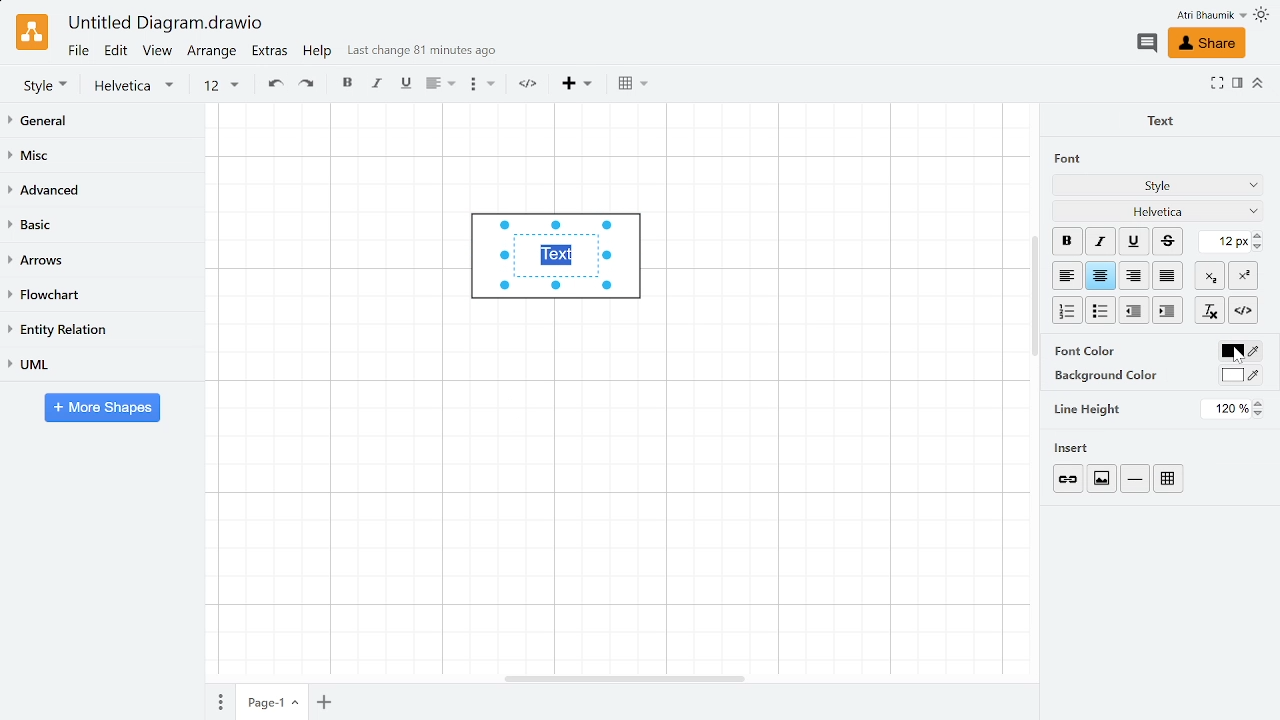  What do you see at coordinates (1233, 356) in the screenshot?
I see `cursor` at bounding box center [1233, 356].